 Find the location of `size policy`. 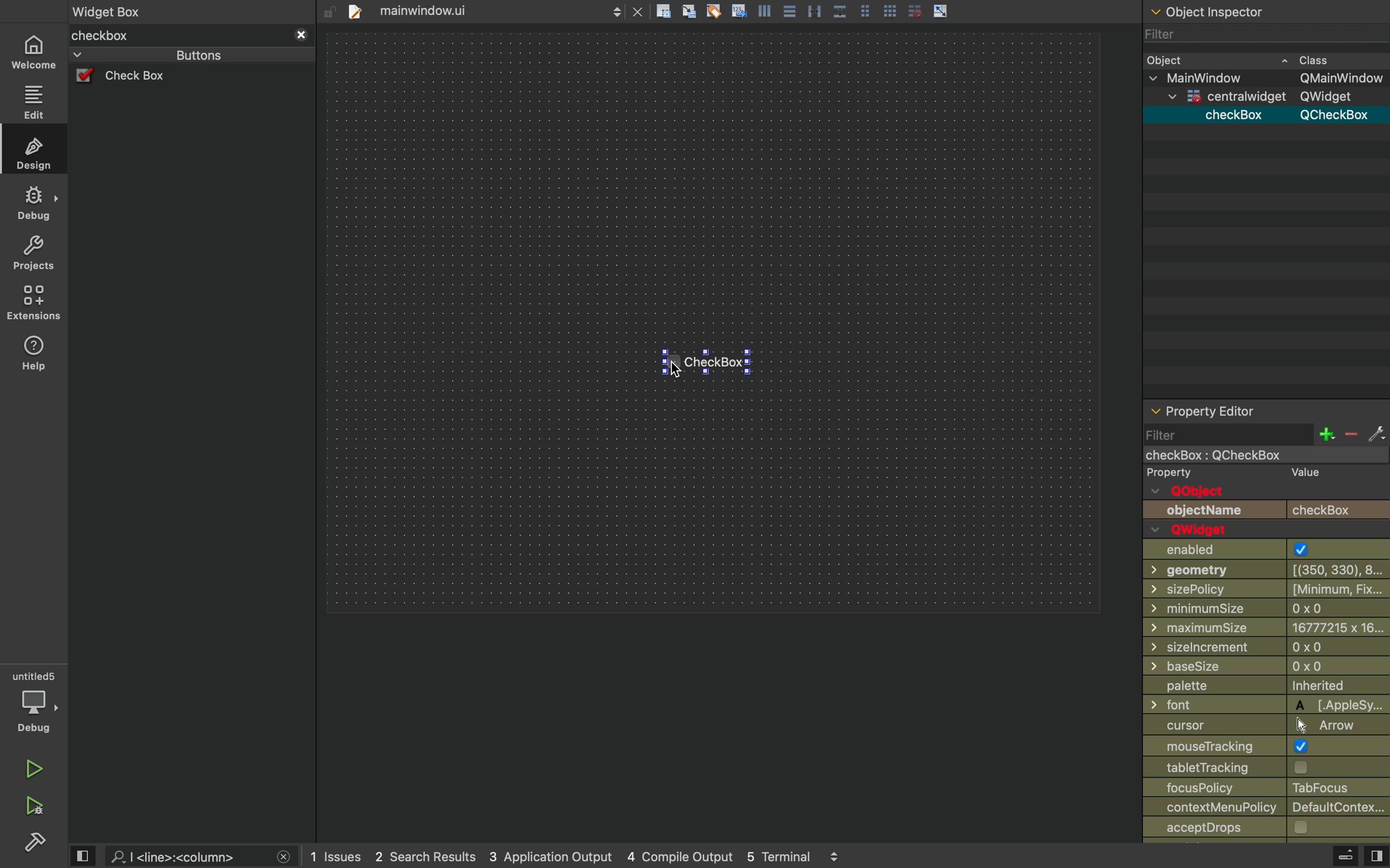

size policy is located at coordinates (1268, 588).